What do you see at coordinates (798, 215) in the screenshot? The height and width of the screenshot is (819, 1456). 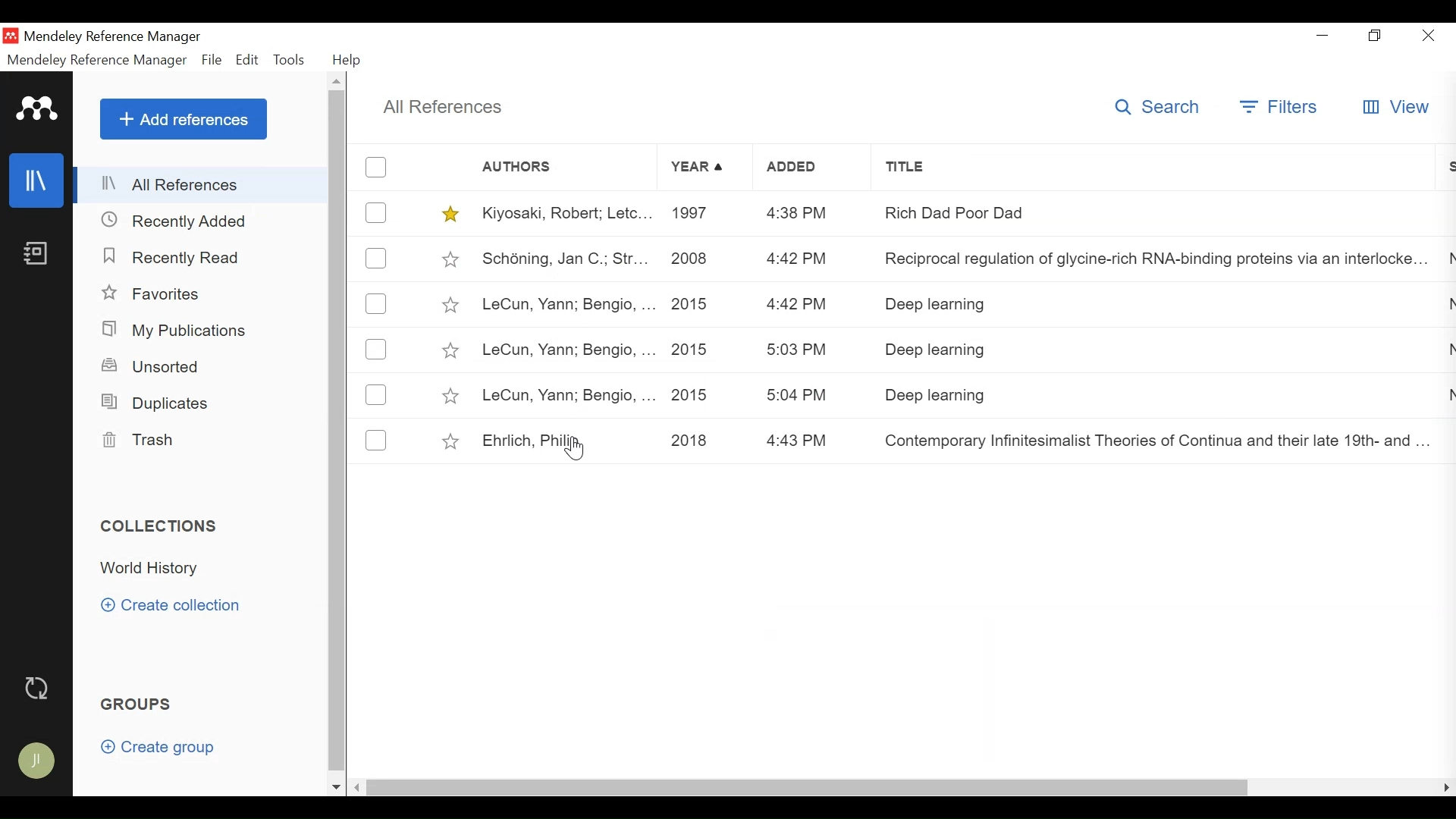 I see `4:38 PM` at bounding box center [798, 215].